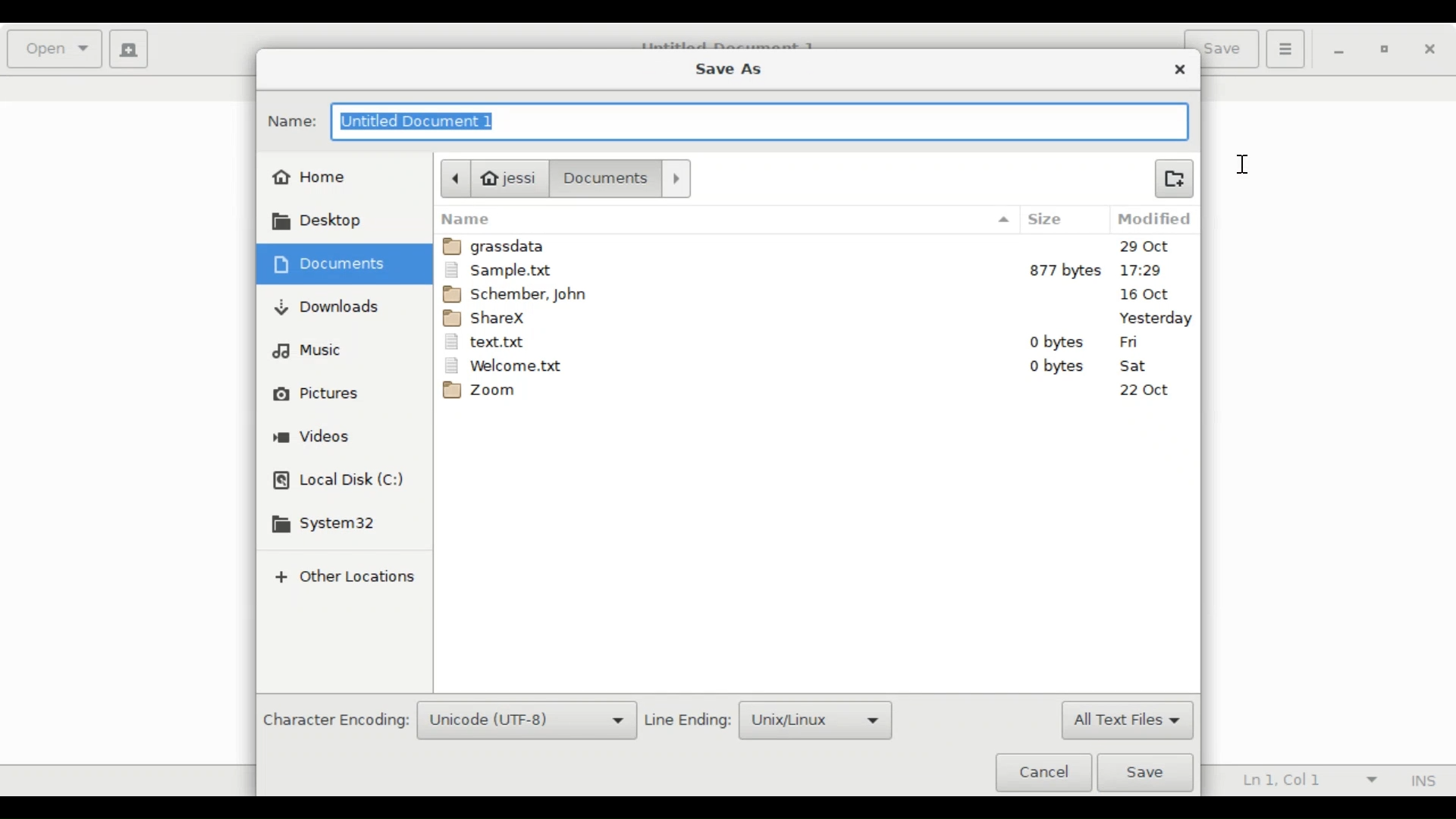  I want to click on System32, so click(328, 525).